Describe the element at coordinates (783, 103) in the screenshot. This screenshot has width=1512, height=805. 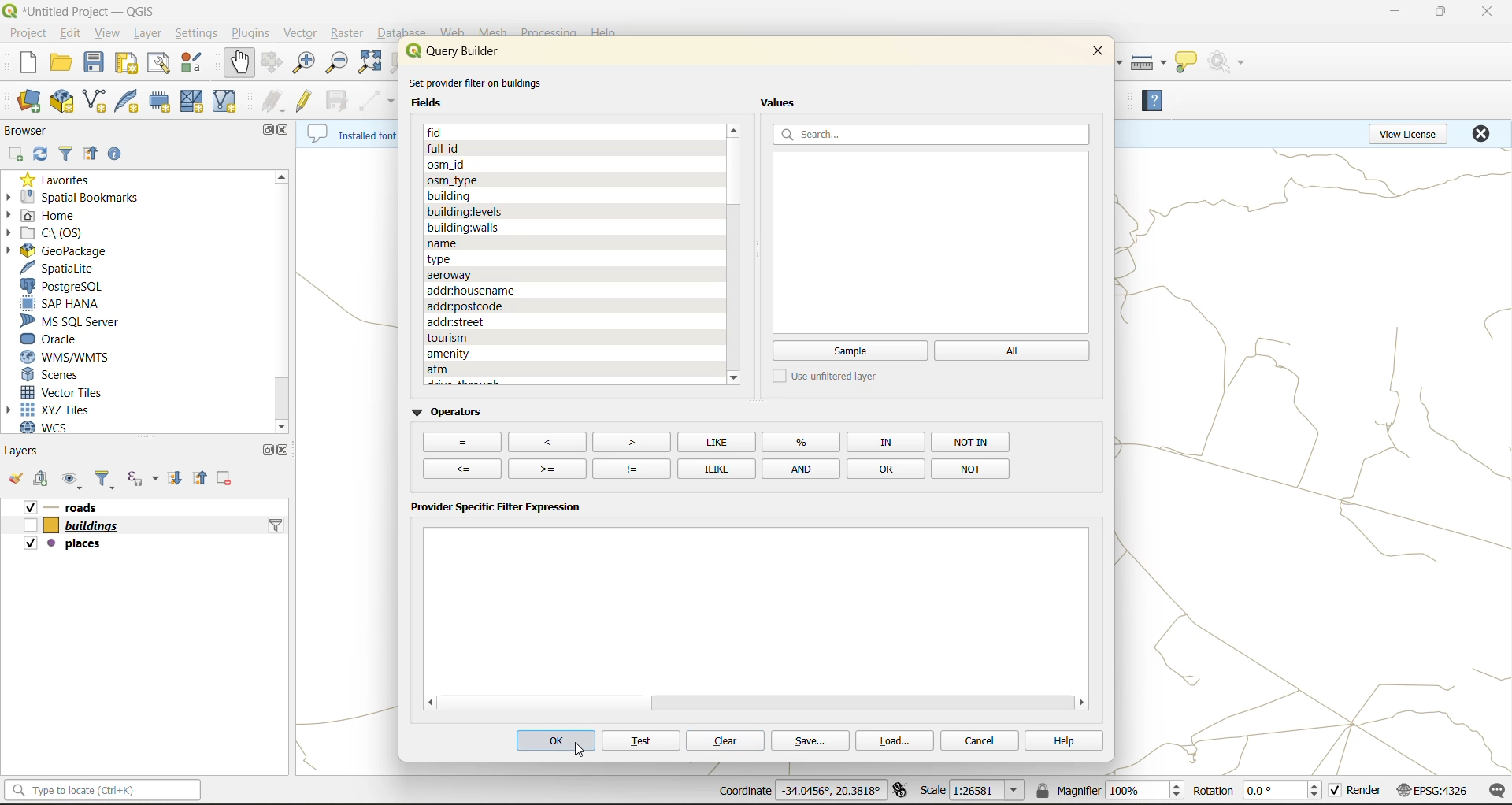
I see `values` at that location.